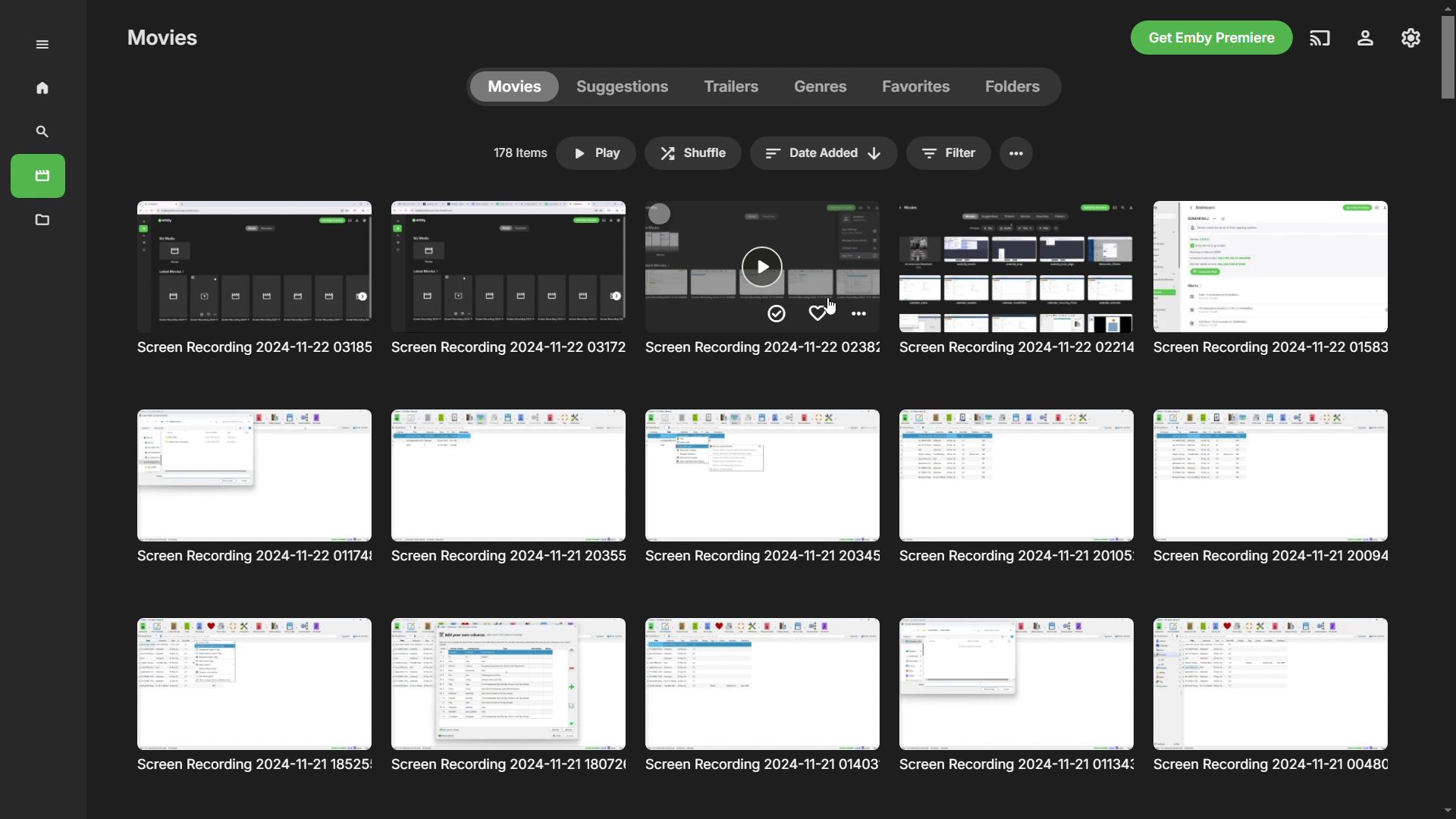 This screenshot has height=819, width=1456. I want to click on scroll up, so click(1447, 8).